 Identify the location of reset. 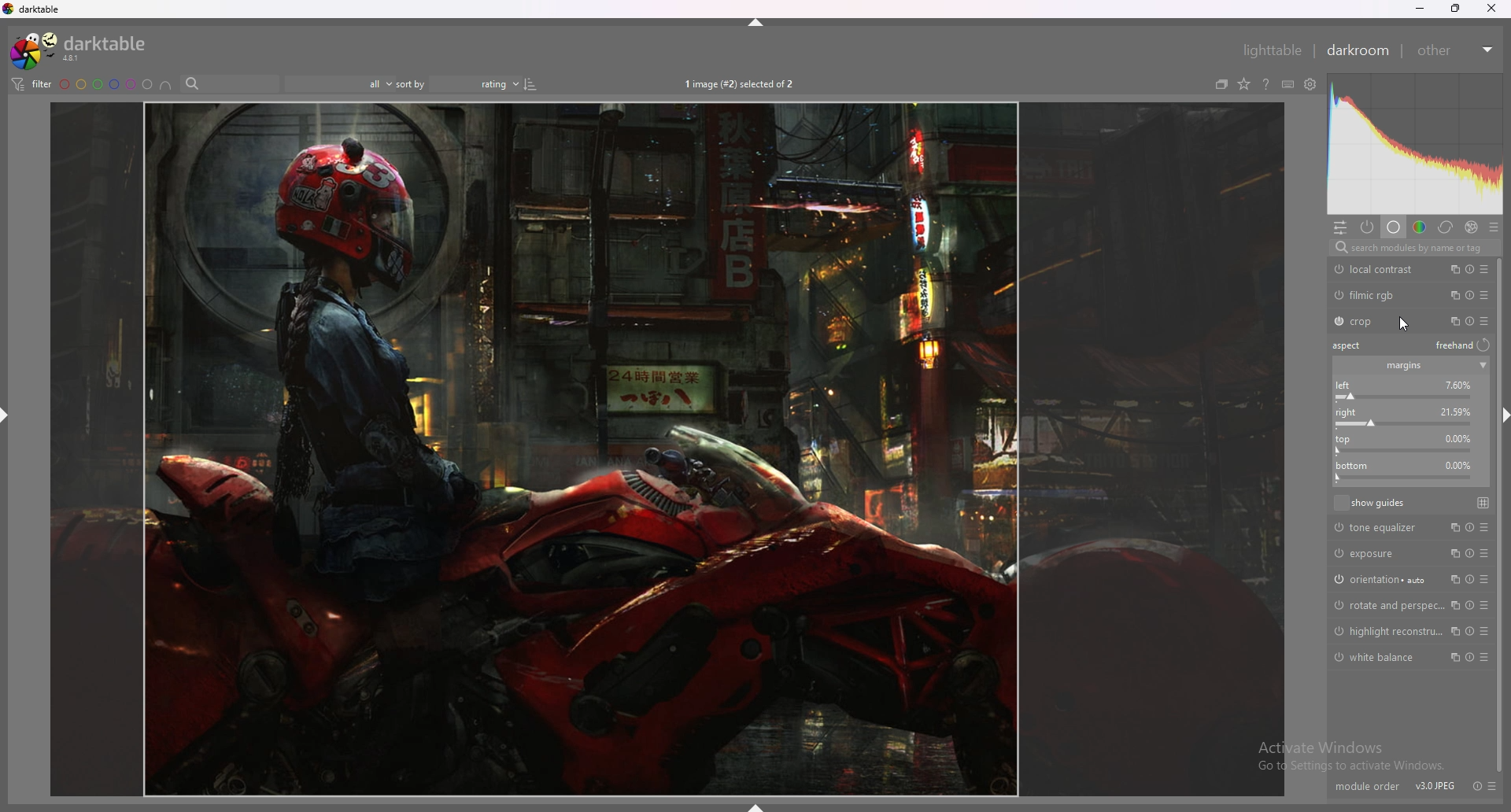
(1472, 295).